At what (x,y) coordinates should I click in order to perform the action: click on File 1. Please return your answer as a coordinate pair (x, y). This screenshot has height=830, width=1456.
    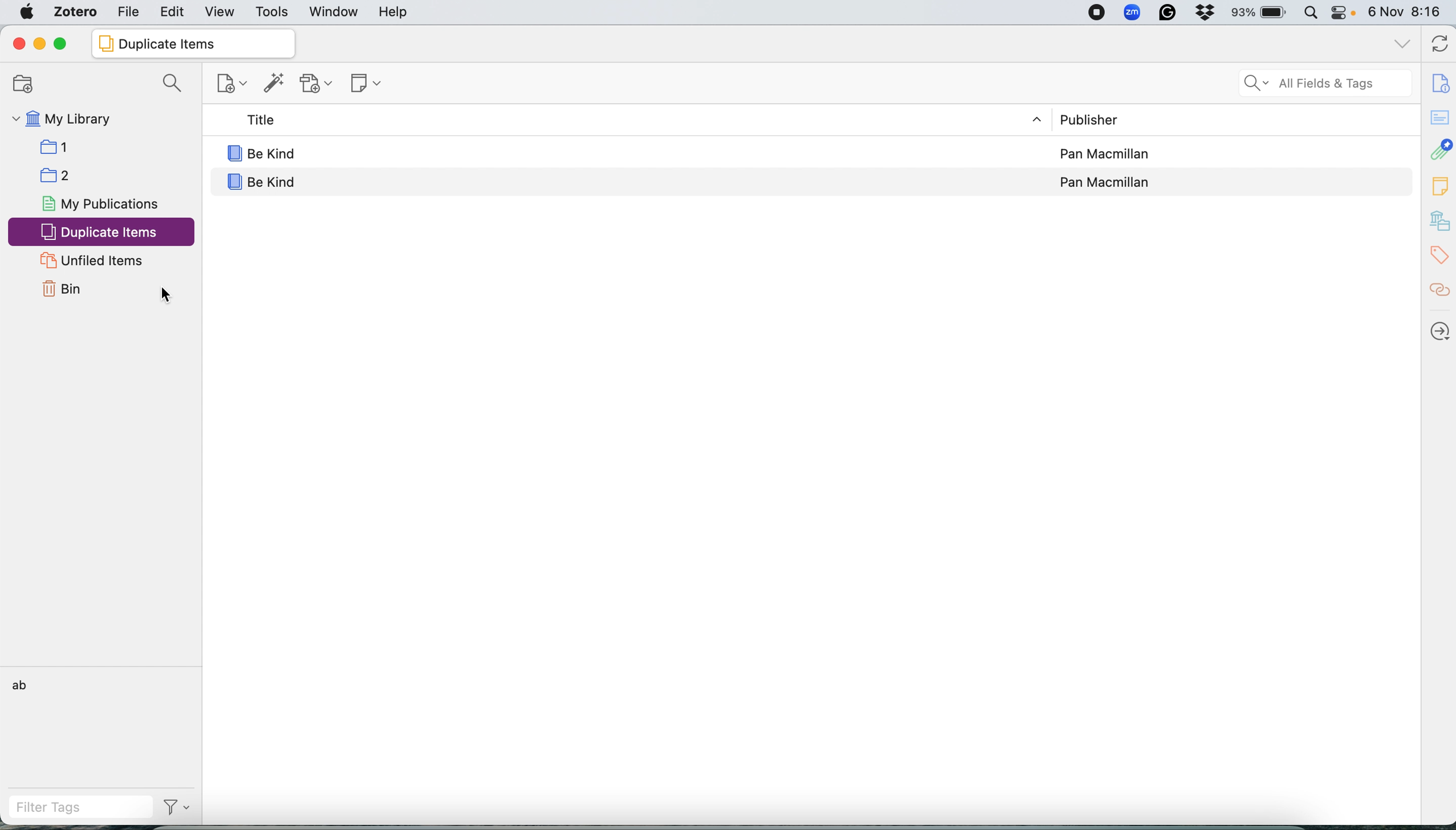
    Looking at the image, I should click on (111, 147).